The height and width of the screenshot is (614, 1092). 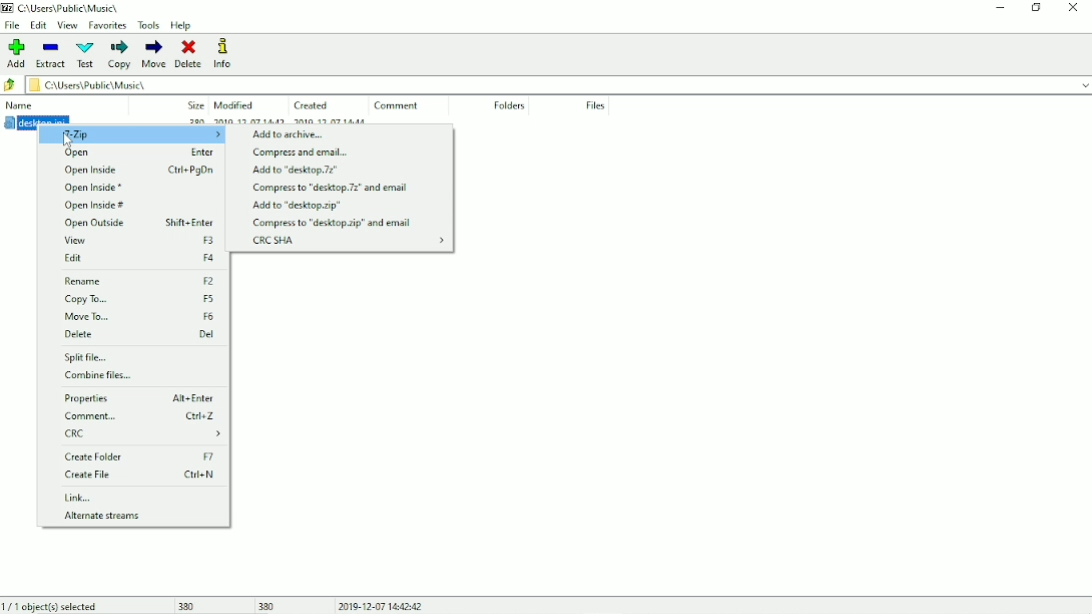 I want to click on Modified, so click(x=238, y=104).